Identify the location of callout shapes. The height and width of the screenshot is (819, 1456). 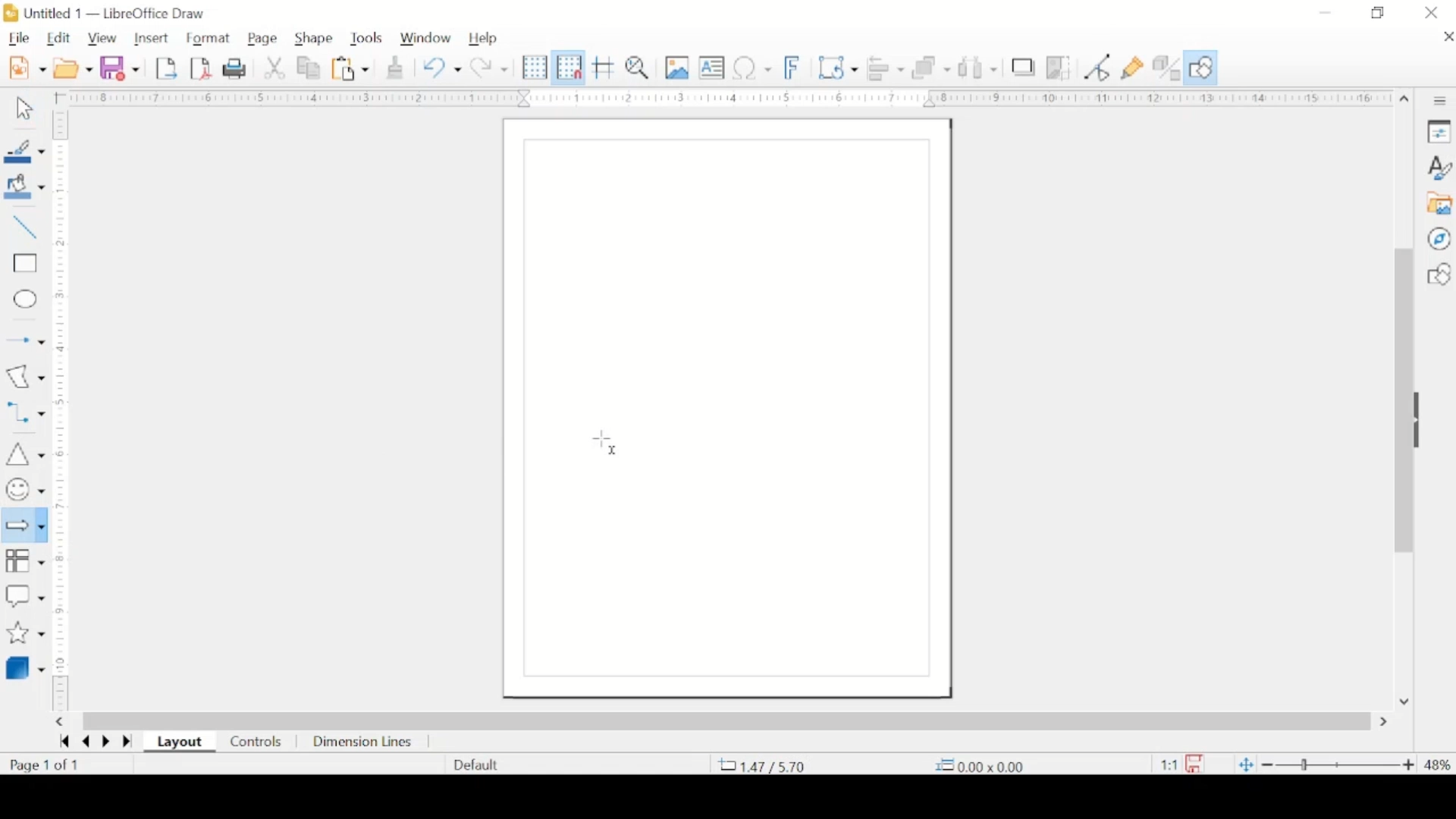
(24, 597).